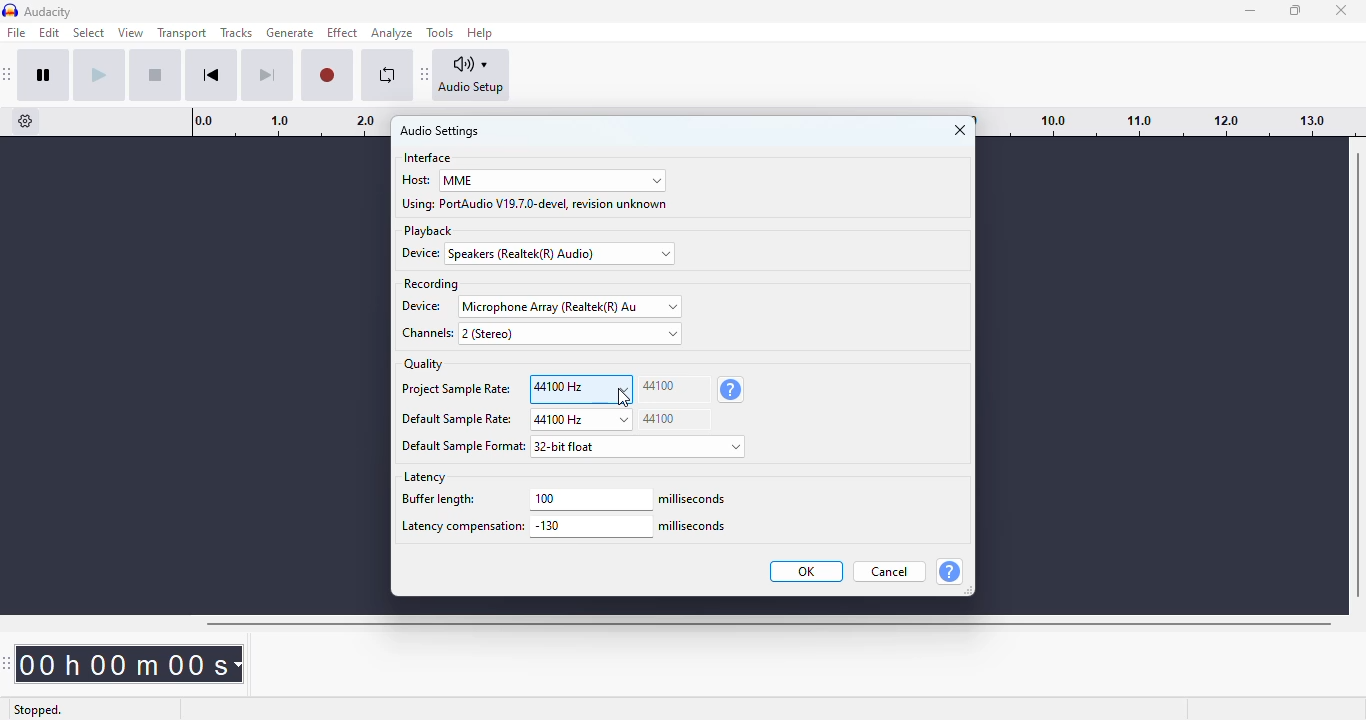  Describe the element at coordinates (440, 33) in the screenshot. I see `tools` at that location.